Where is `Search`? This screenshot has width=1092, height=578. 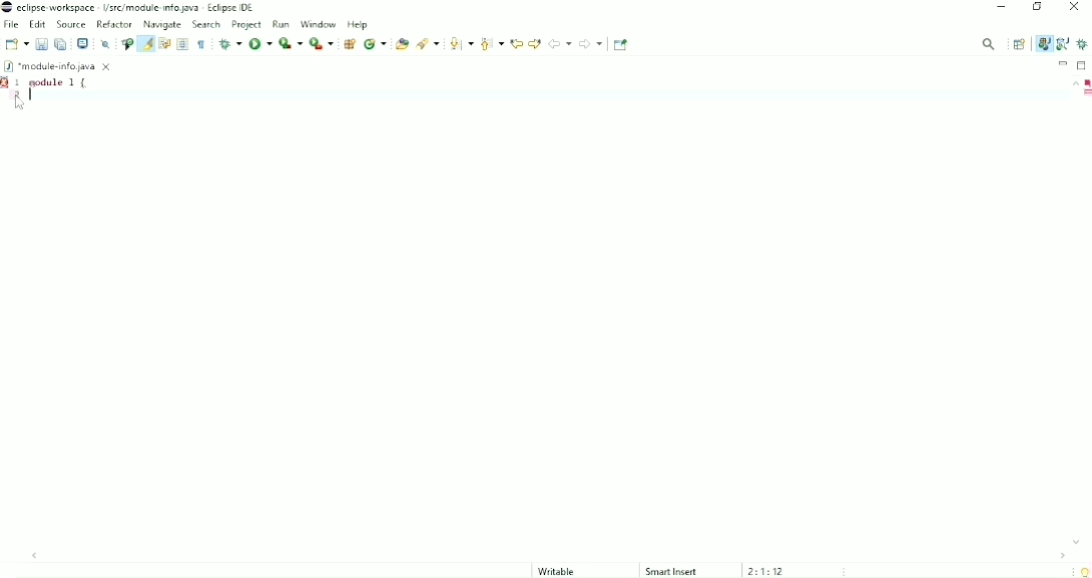
Search is located at coordinates (428, 44).